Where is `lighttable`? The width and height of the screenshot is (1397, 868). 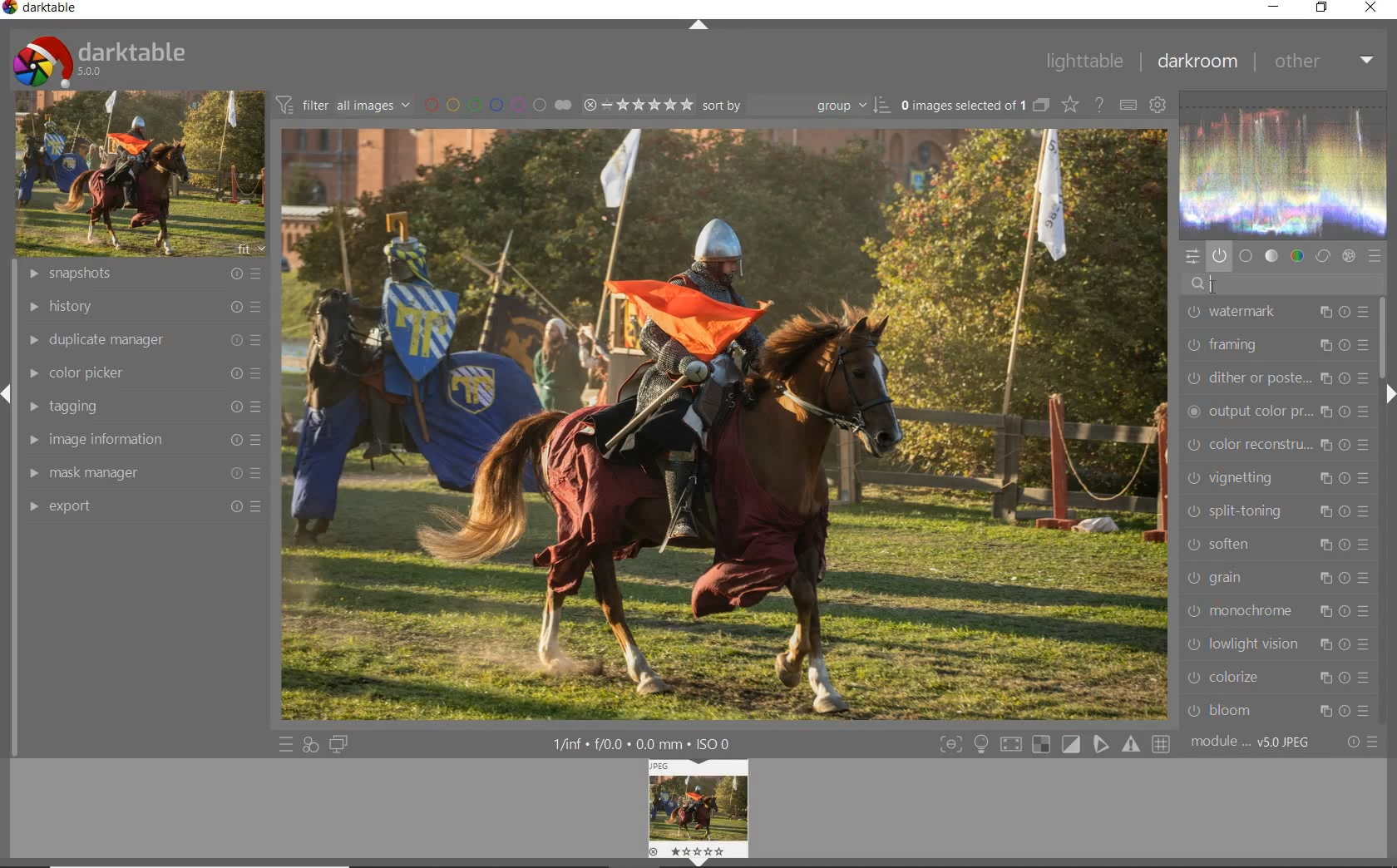 lighttable is located at coordinates (1086, 61).